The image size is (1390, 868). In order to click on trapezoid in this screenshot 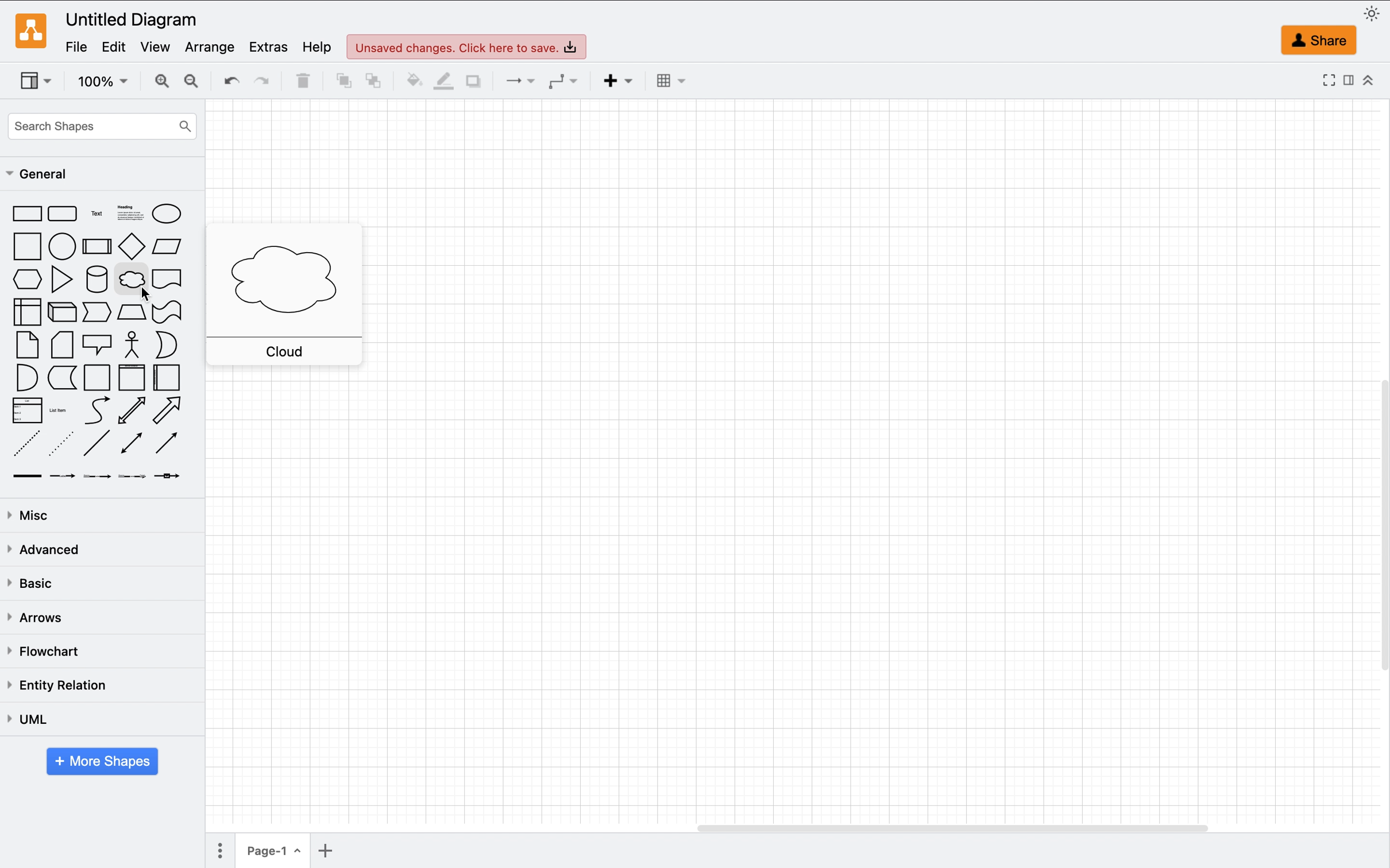, I will do `click(131, 312)`.